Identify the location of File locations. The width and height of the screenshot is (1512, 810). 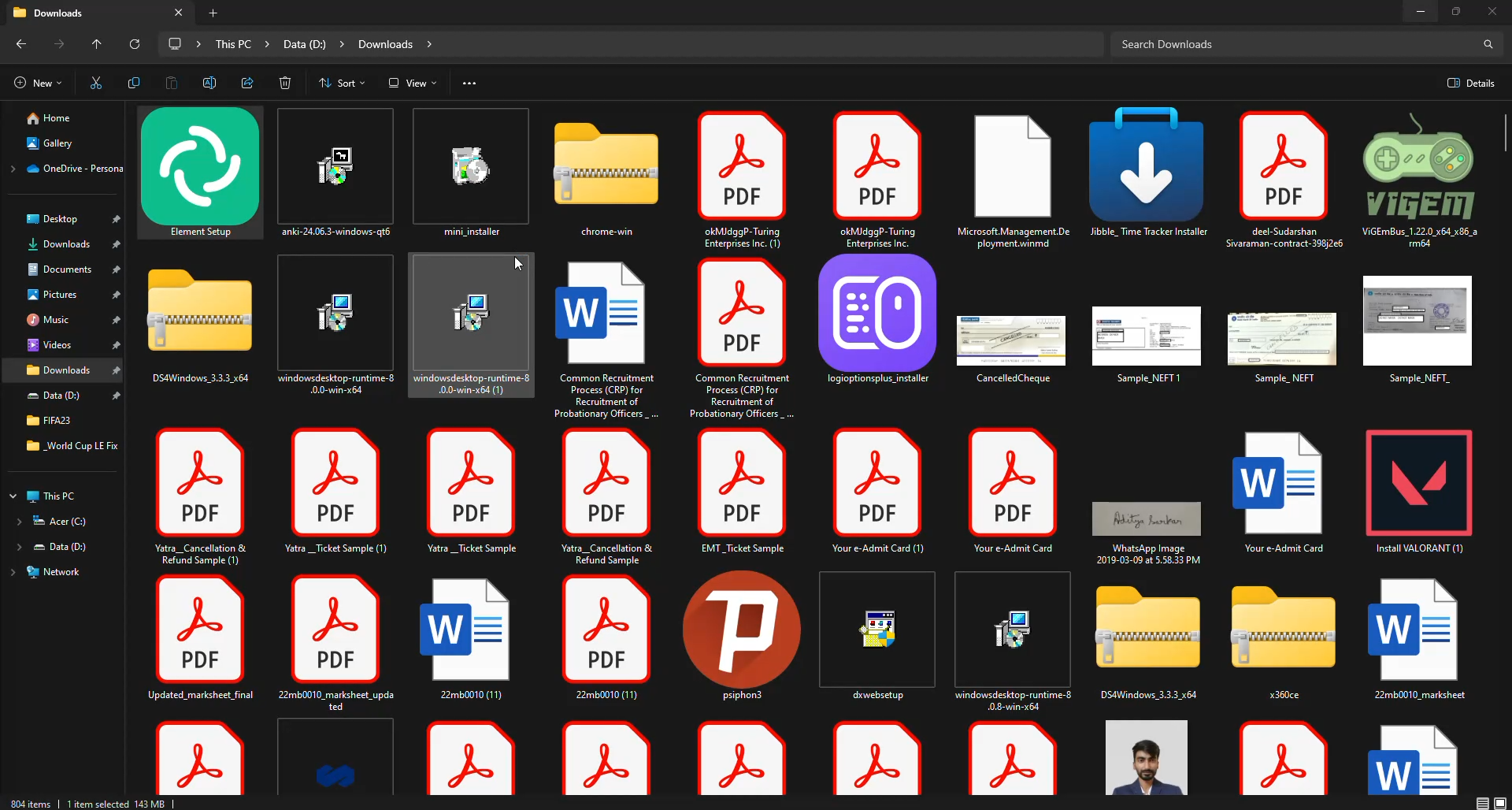
(66, 347).